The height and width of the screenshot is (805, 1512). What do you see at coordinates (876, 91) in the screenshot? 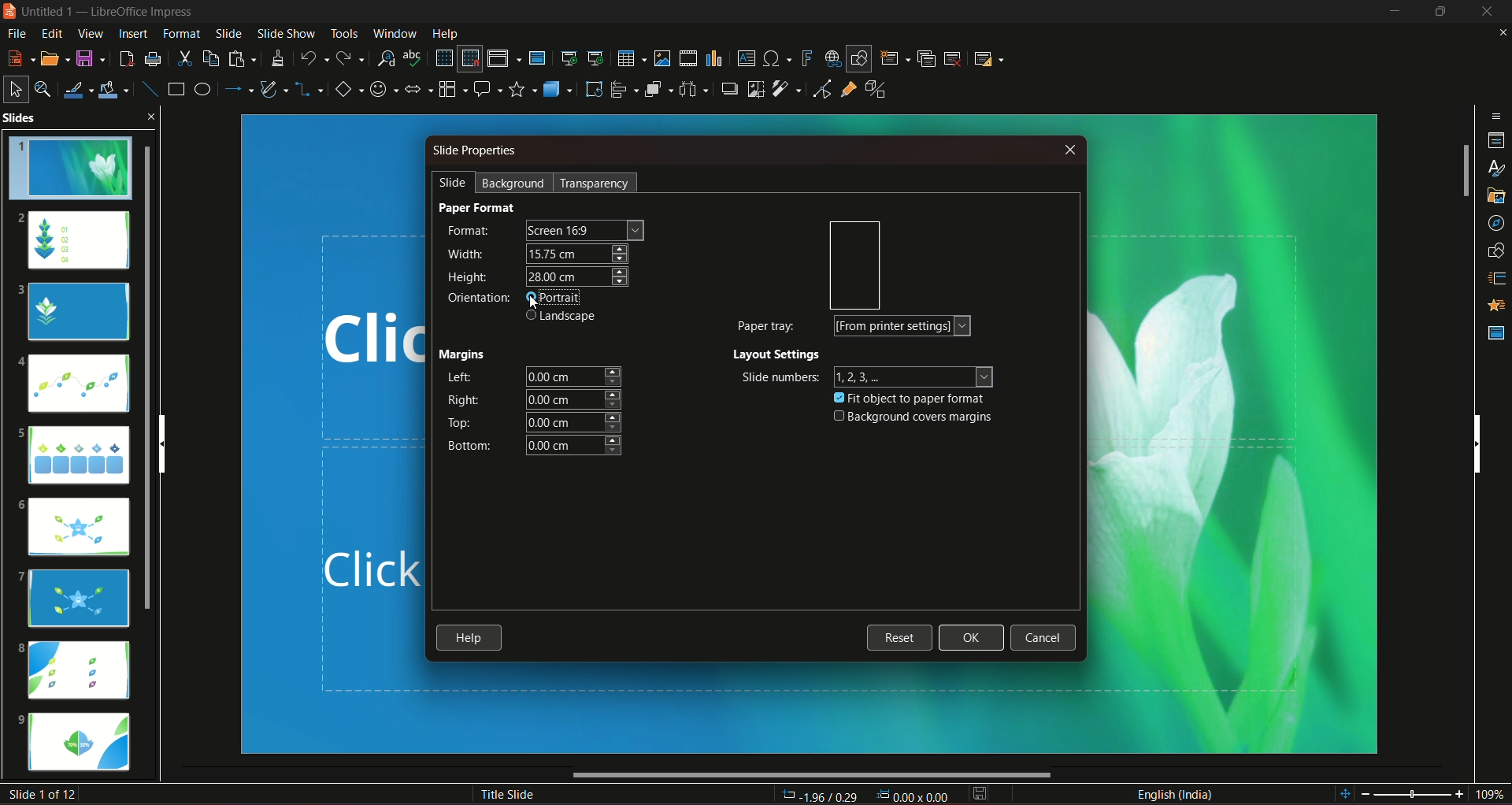
I see `toggle extrusion` at bounding box center [876, 91].